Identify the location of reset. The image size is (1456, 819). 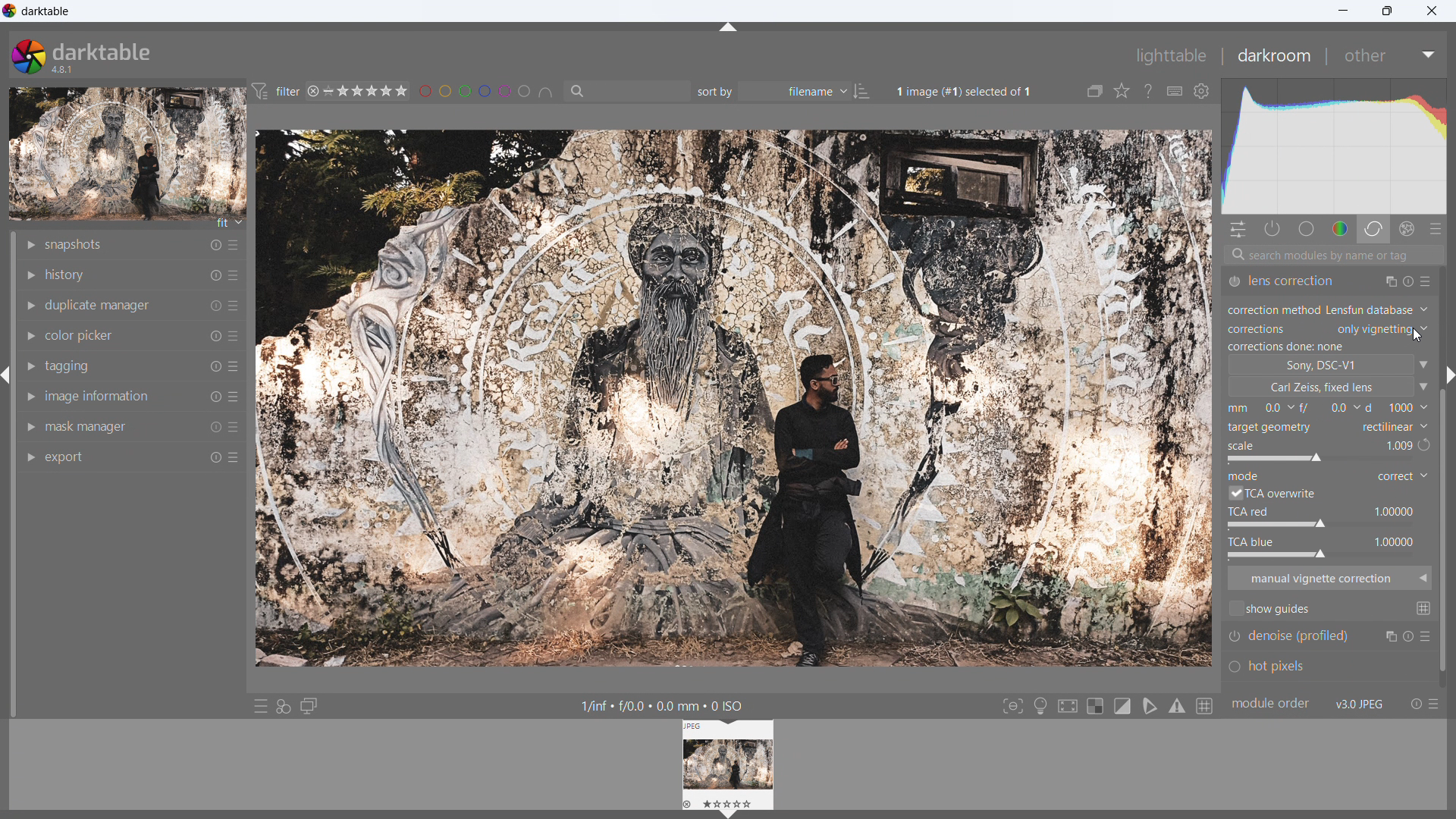
(215, 244).